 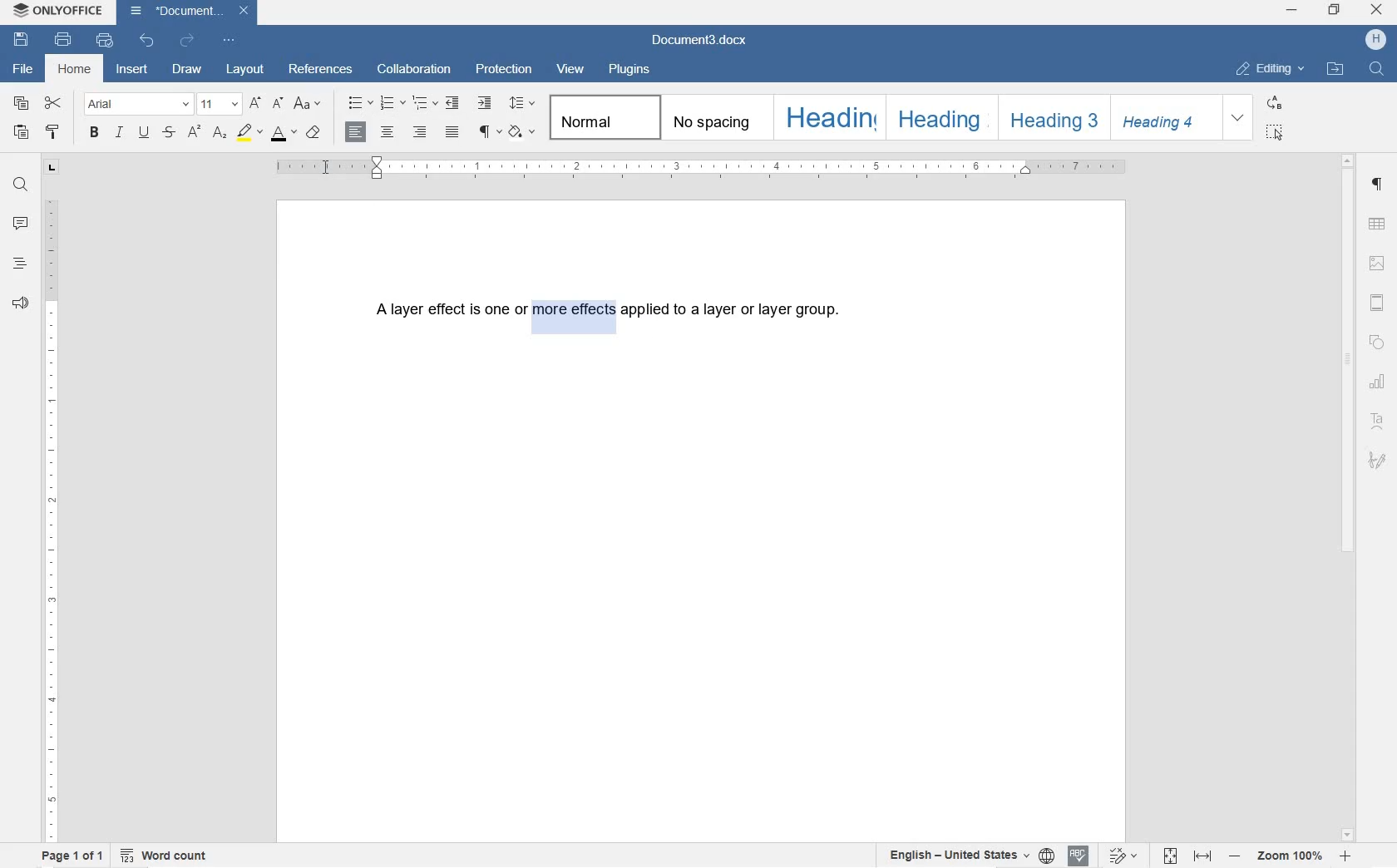 I want to click on FONT SIZE, so click(x=219, y=103).